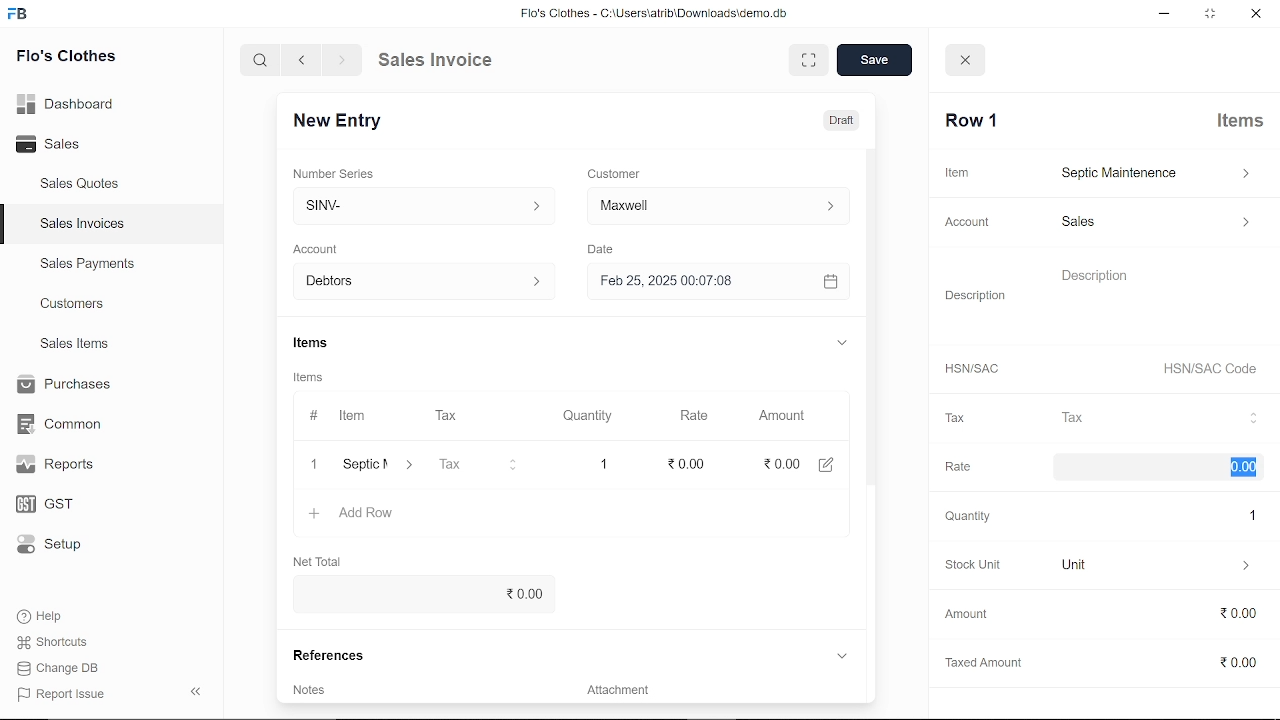  I want to click on Reports, so click(60, 465).